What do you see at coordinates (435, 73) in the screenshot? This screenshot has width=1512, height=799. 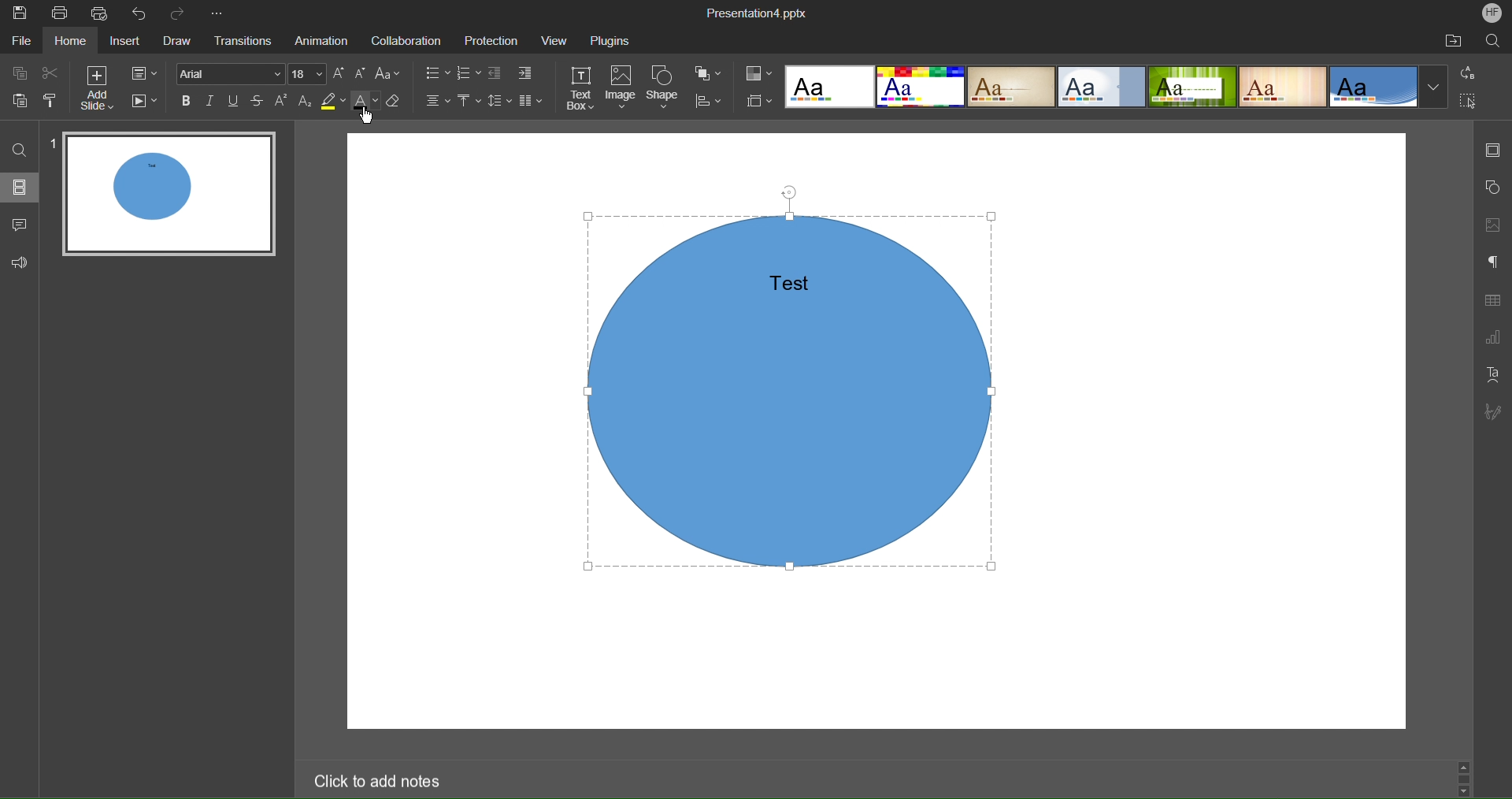 I see `Lists` at bounding box center [435, 73].